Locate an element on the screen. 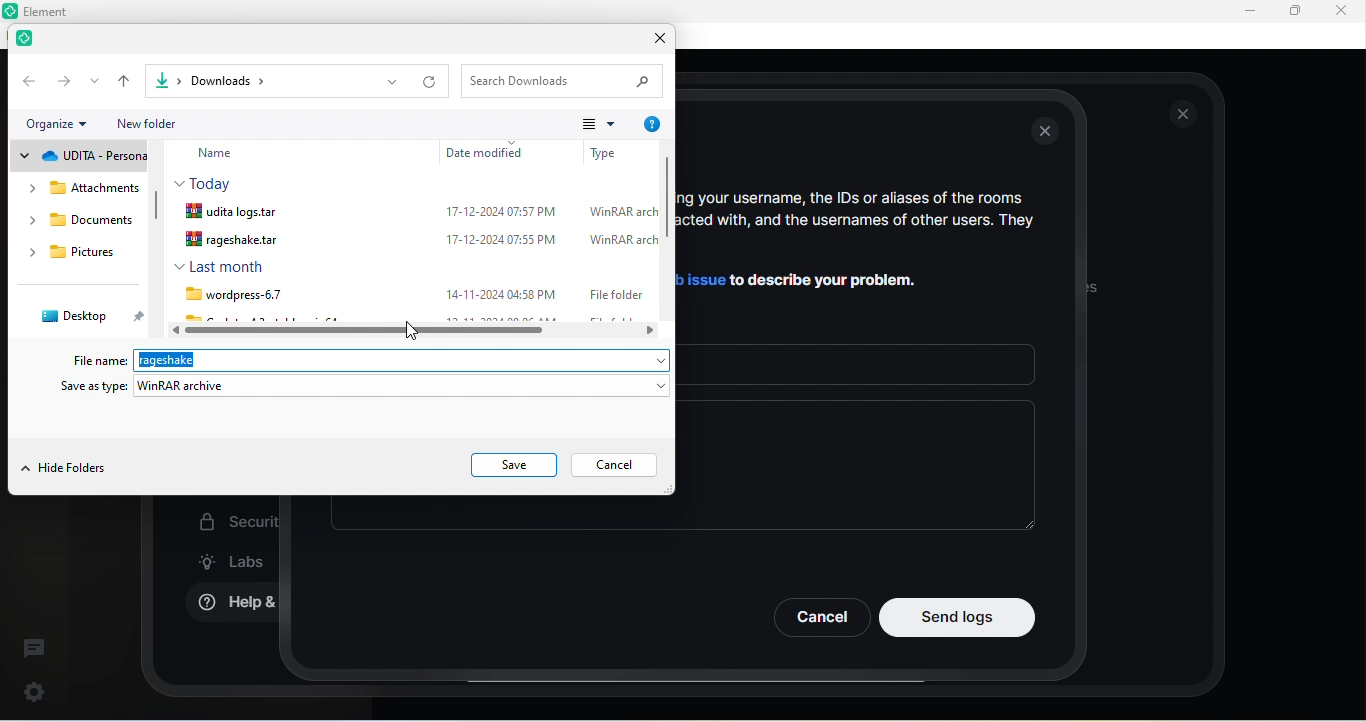  pictures is located at coordinates (81, 255).